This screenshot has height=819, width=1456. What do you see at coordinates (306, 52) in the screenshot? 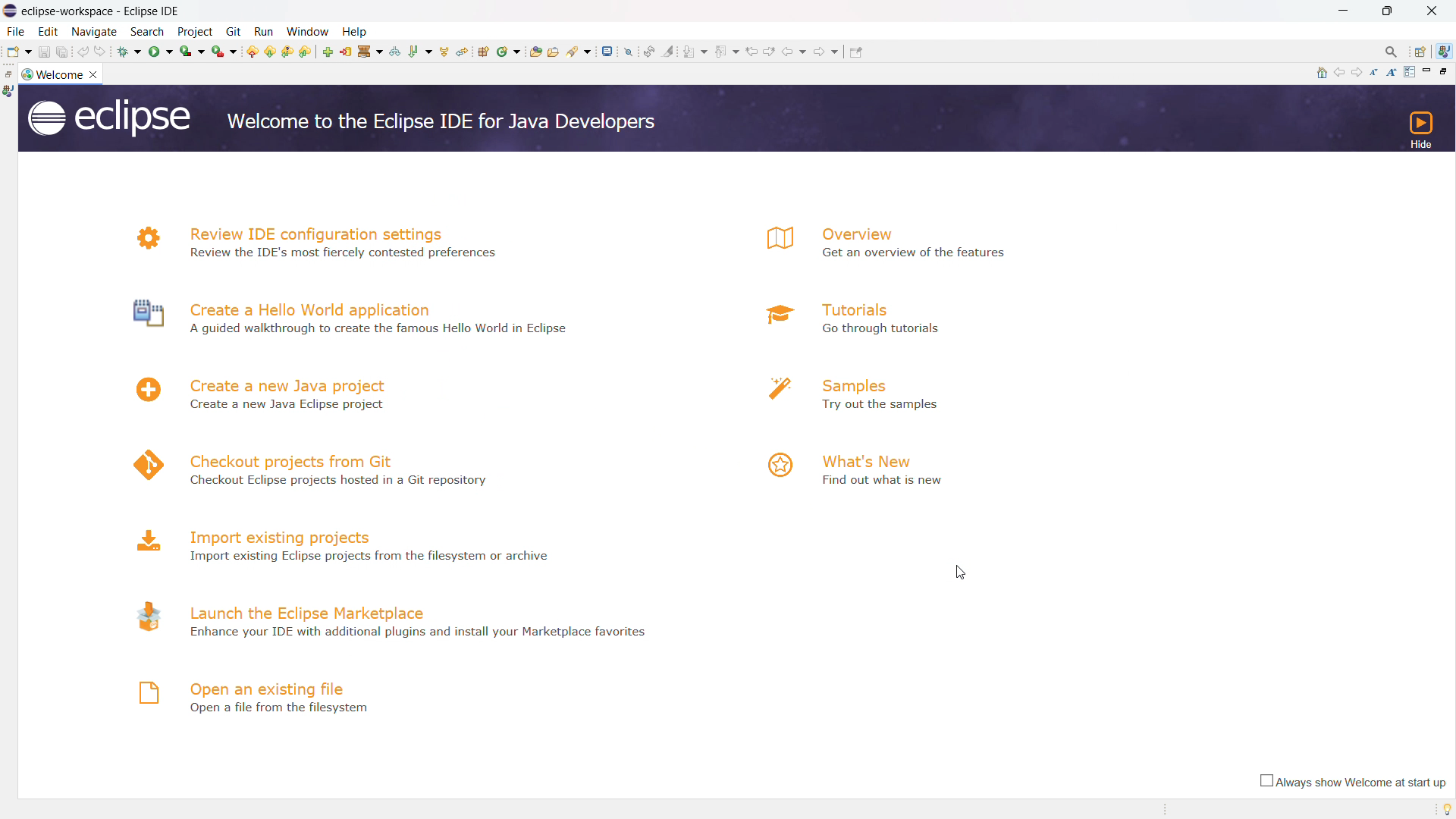
I see `pull changes from upstream into the current branch` at bounding box center [306, 52].